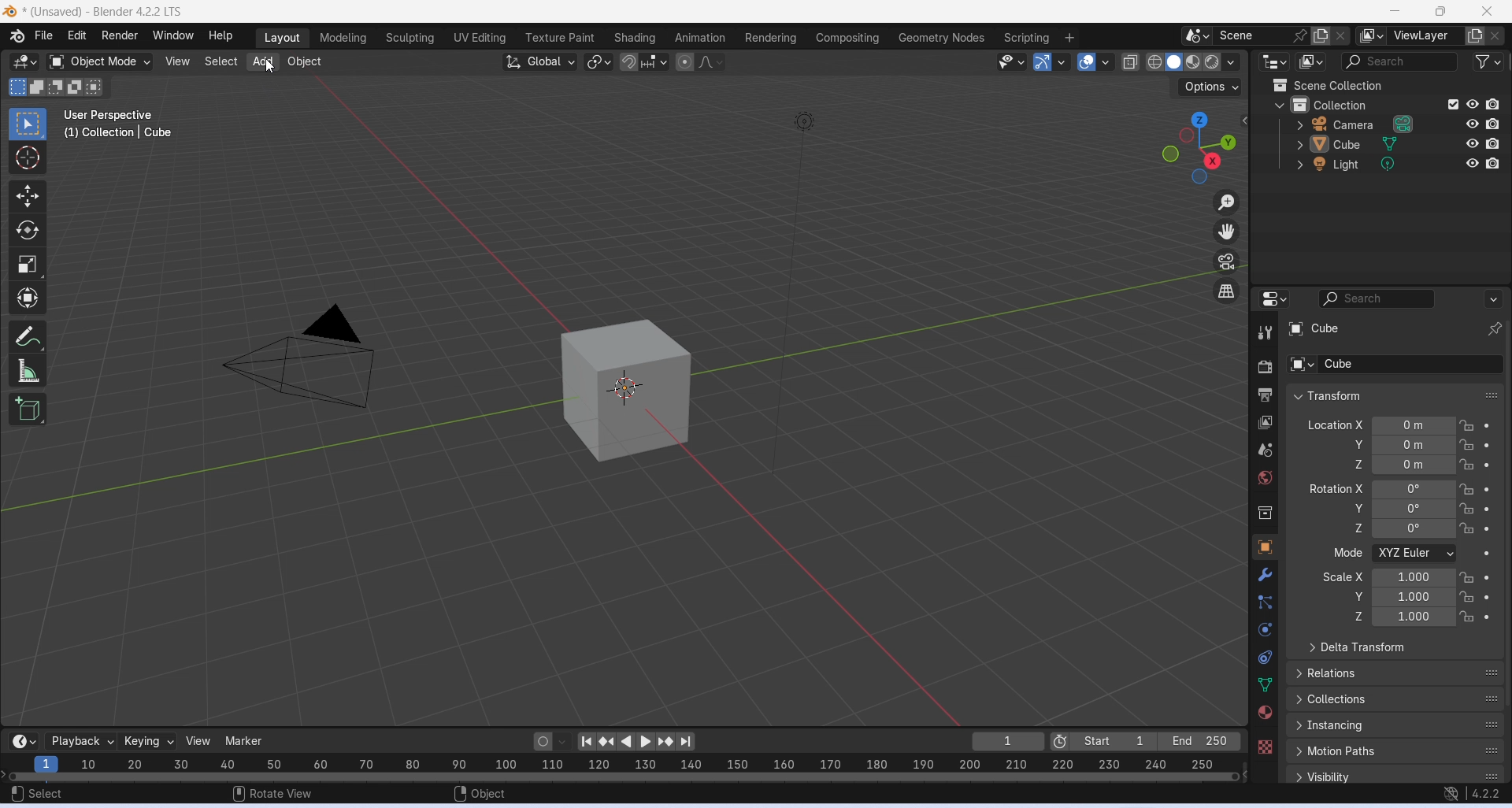 This screenshot has width=1512, height=808. What do you see at coordinates (1197, 147) in the screenshot?
I see `Click` at bounding box center [1197, 147].